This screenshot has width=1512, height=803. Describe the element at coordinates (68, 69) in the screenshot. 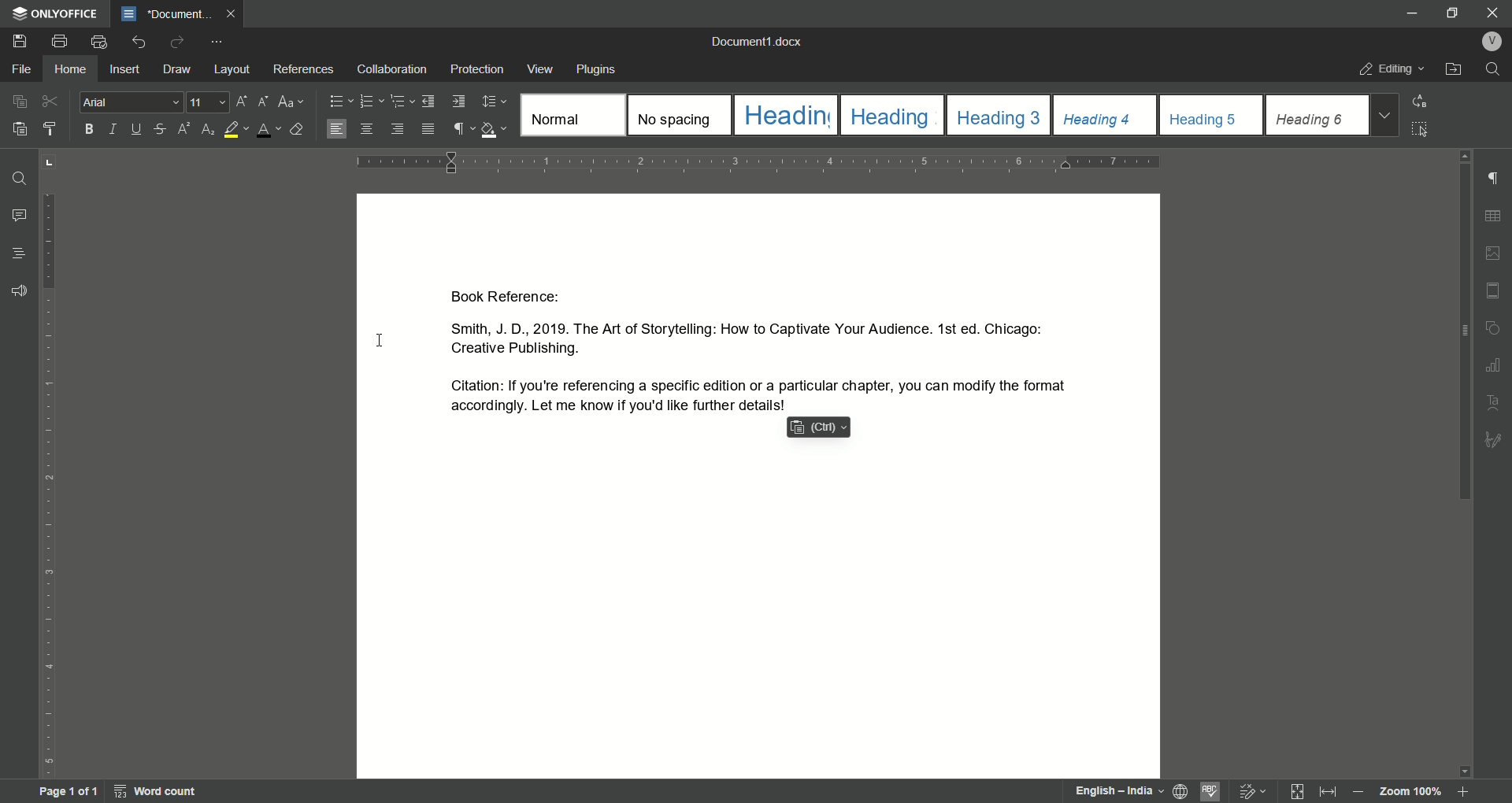

I see `home` at that location.